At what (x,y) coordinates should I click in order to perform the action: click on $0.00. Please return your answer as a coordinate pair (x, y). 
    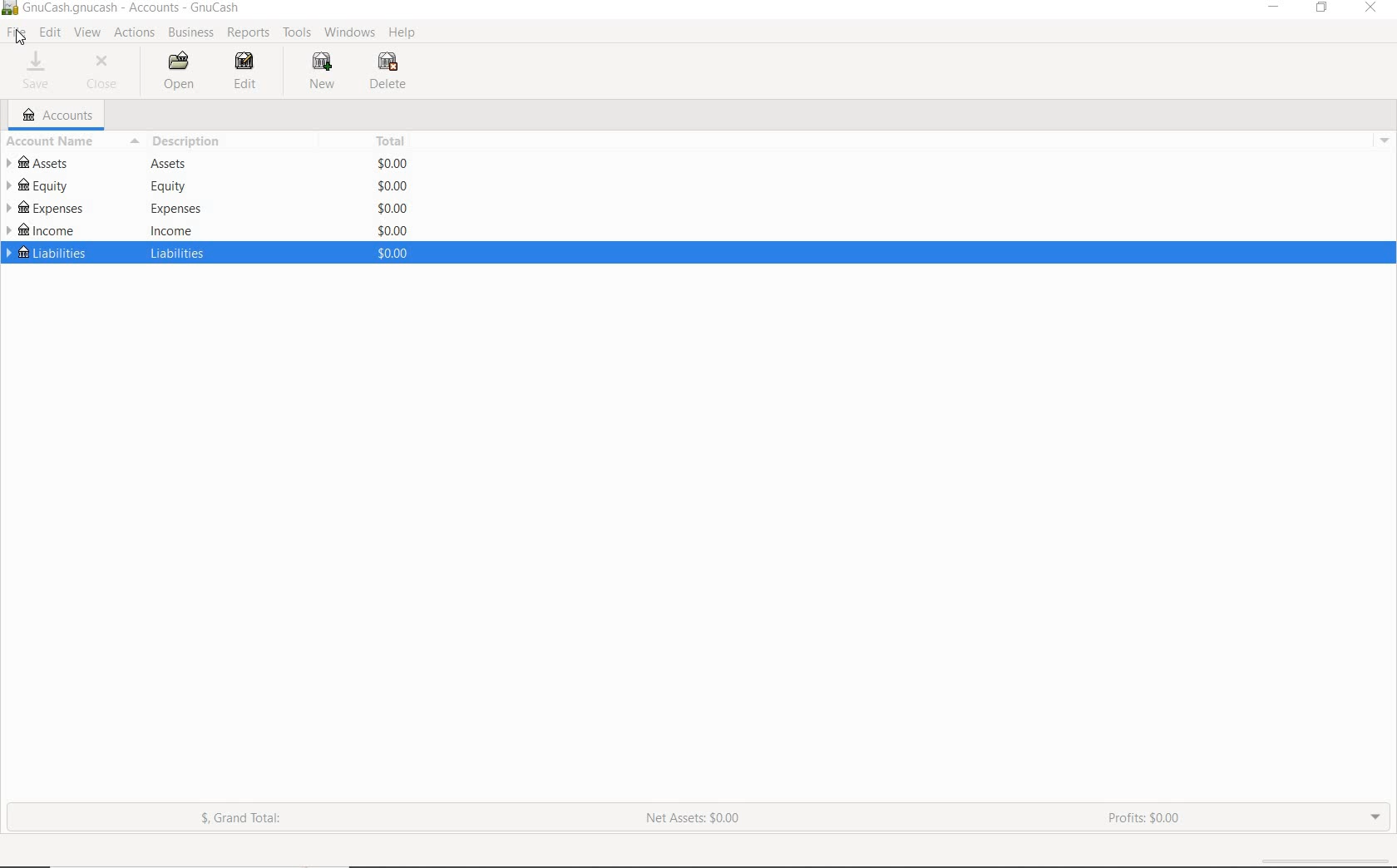
    Looking at the image, I should click on (392, 253).